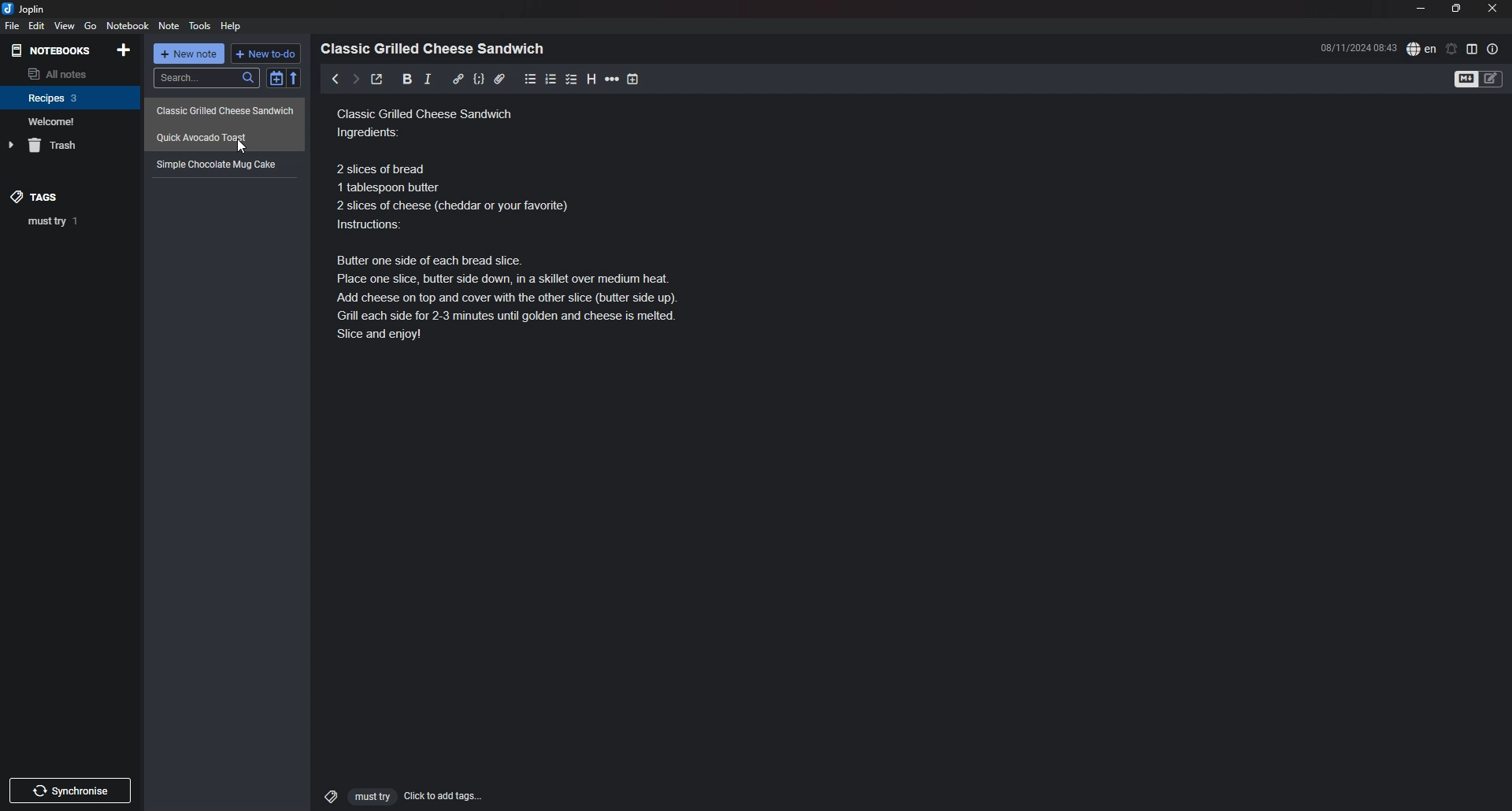  I want to click on note properties, so click(1493, 49).